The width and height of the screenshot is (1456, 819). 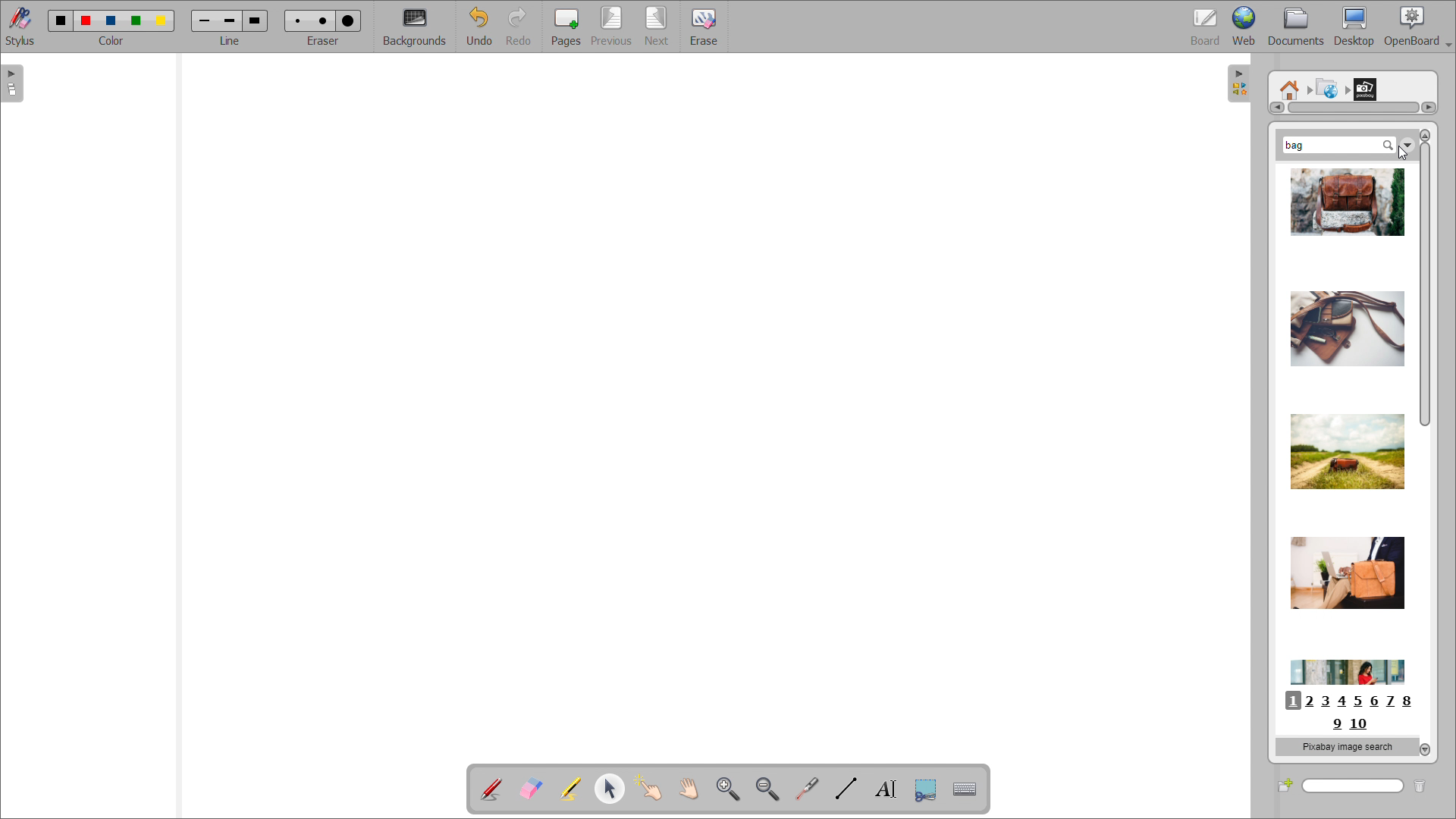 What do you see at coordinates (256, 20) in the screenshot?
I see `Large line` at bounding box center [256, 20].